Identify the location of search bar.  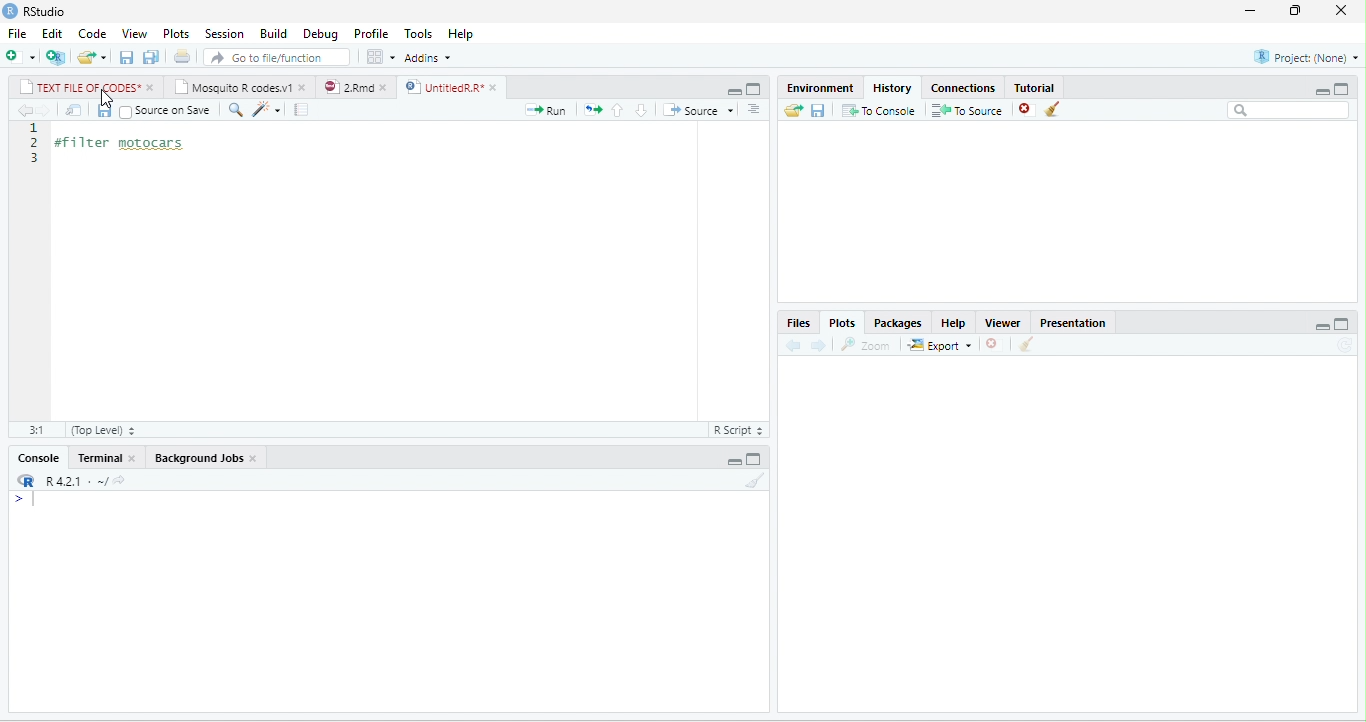
(1288, 110).